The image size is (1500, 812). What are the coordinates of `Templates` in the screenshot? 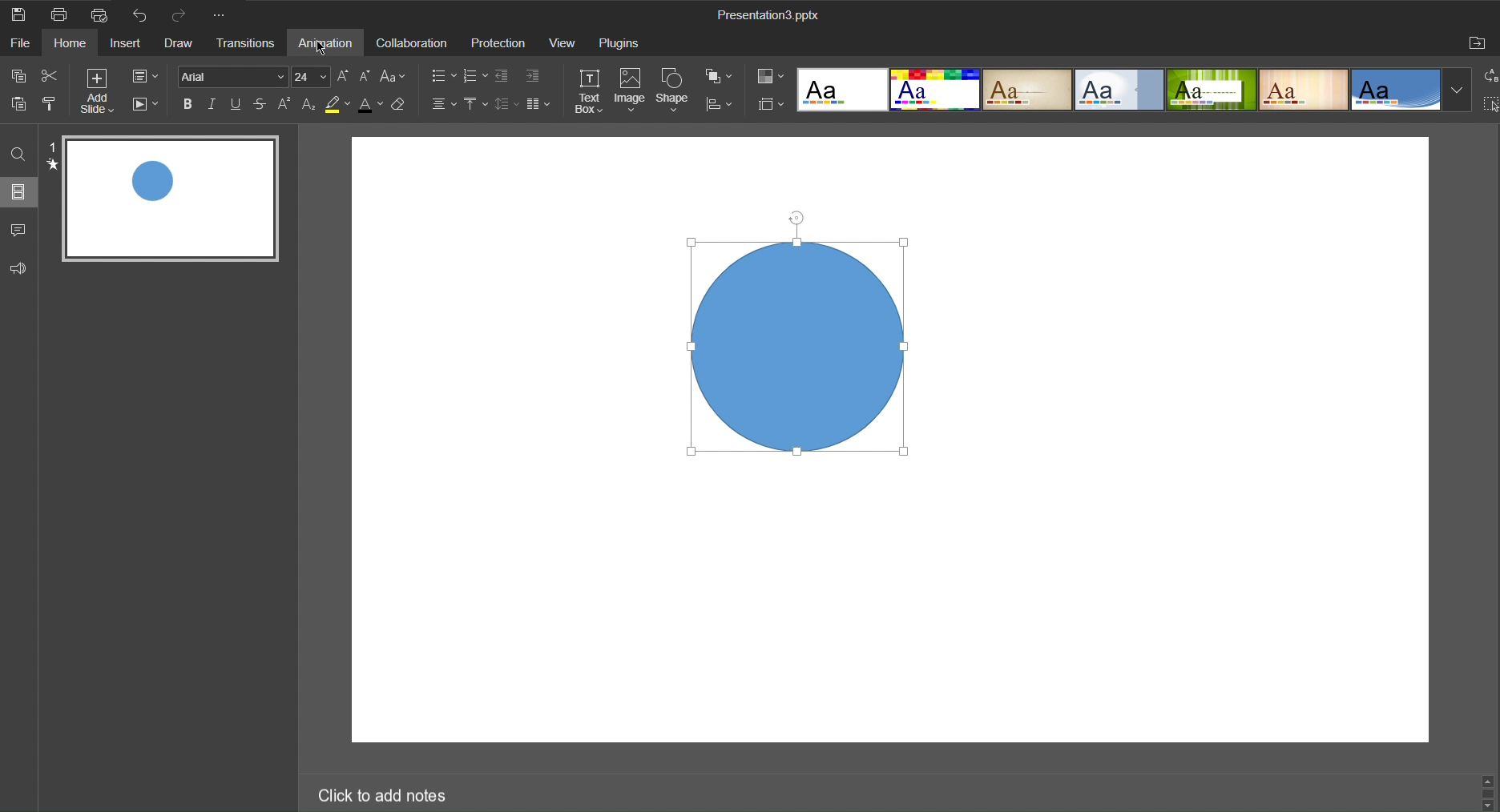 It's located at (1133, 90).